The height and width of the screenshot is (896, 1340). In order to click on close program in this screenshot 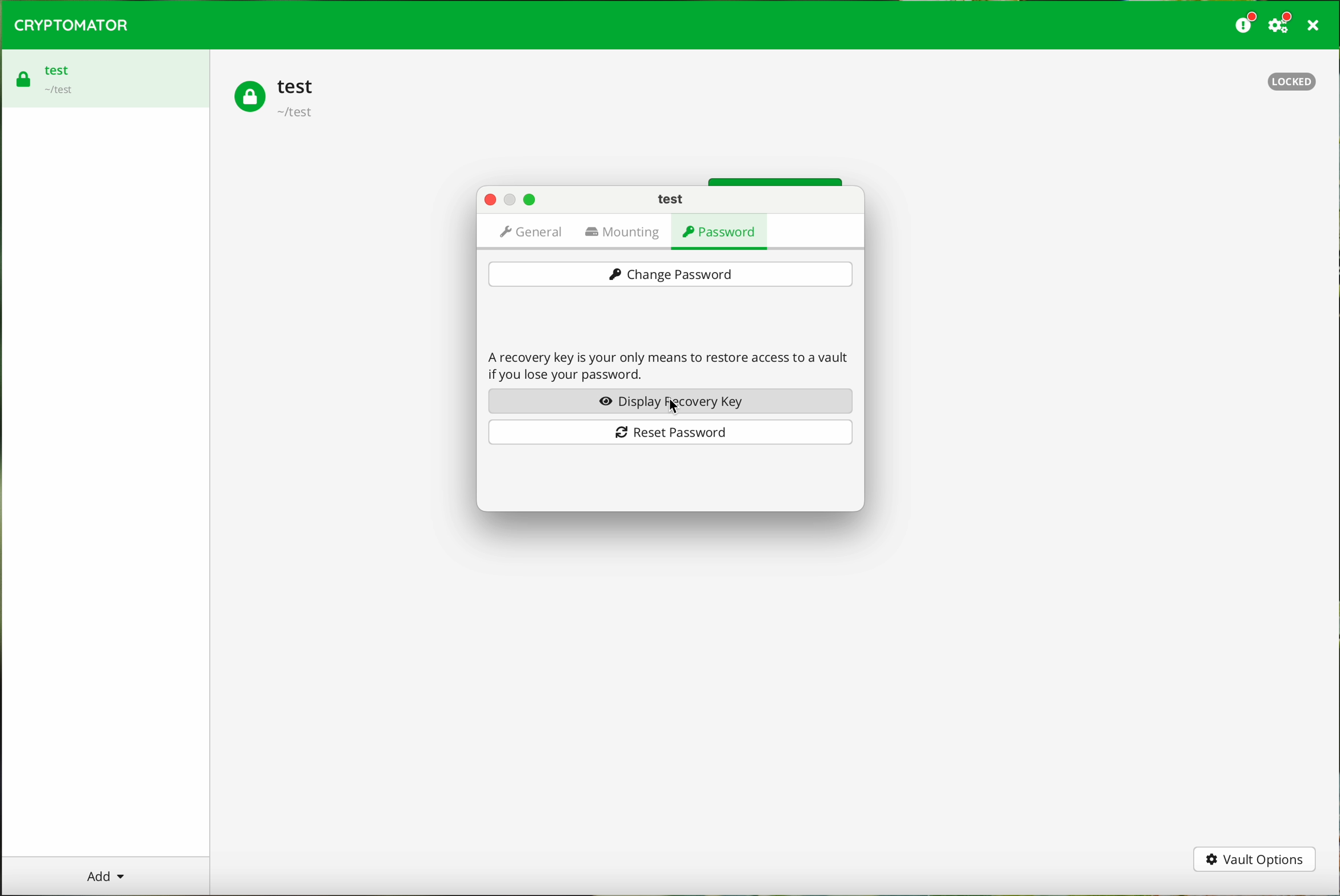, I will do `click(1317, 25)`.